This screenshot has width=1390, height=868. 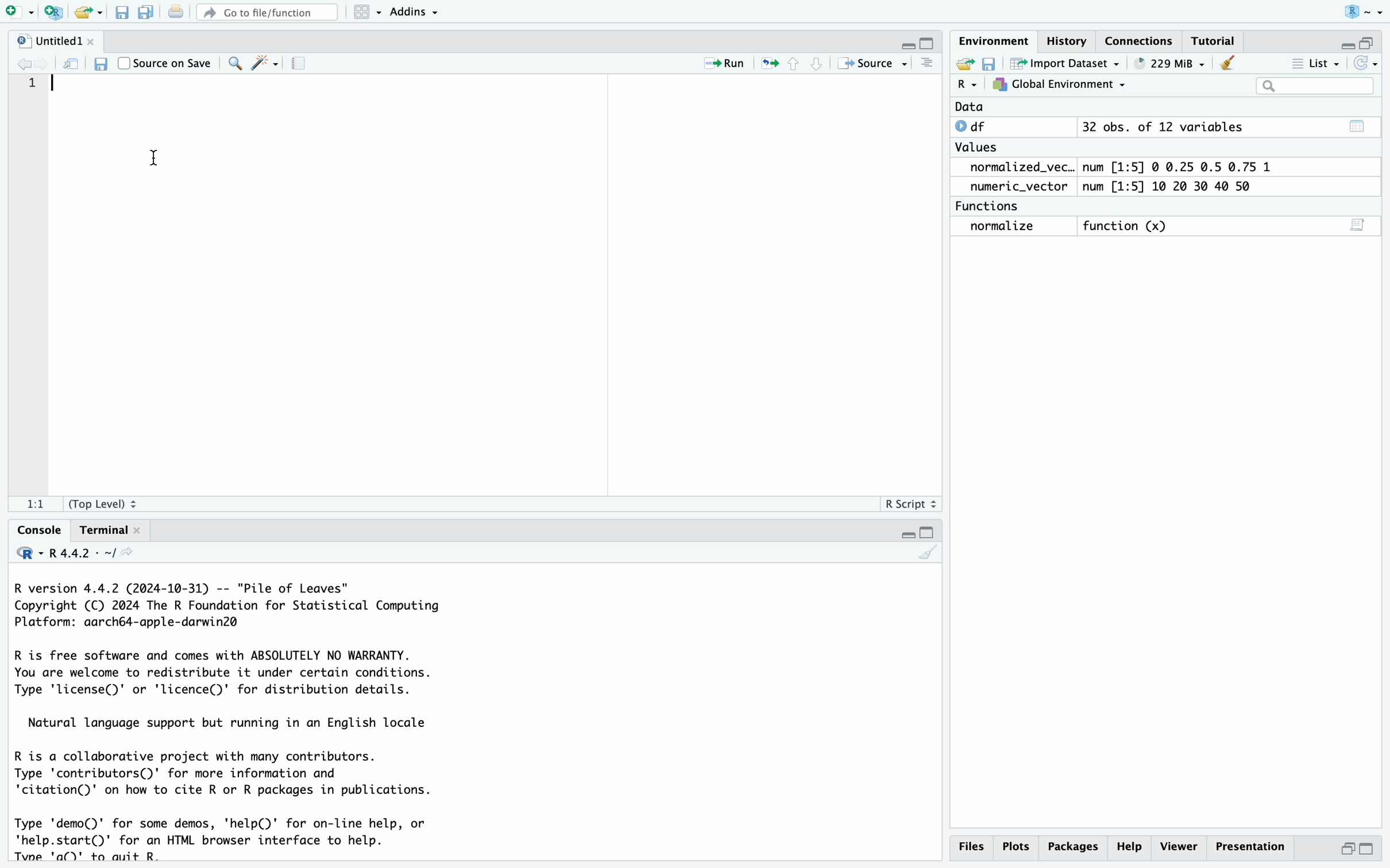 I want to click on minimize, so click(x=1345, y=45).